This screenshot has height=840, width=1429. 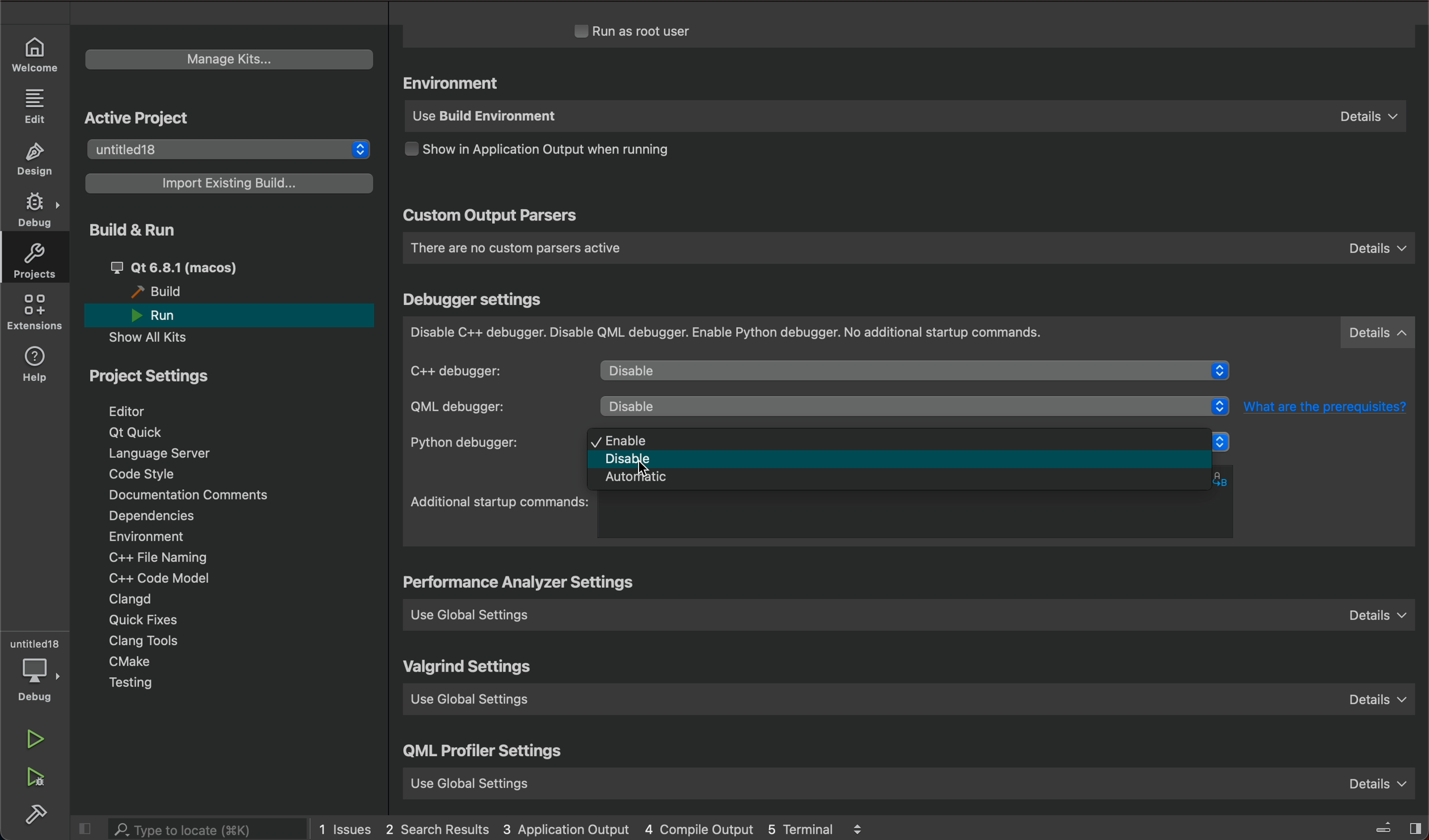 I want to click on project, so click(x=157, y=380).